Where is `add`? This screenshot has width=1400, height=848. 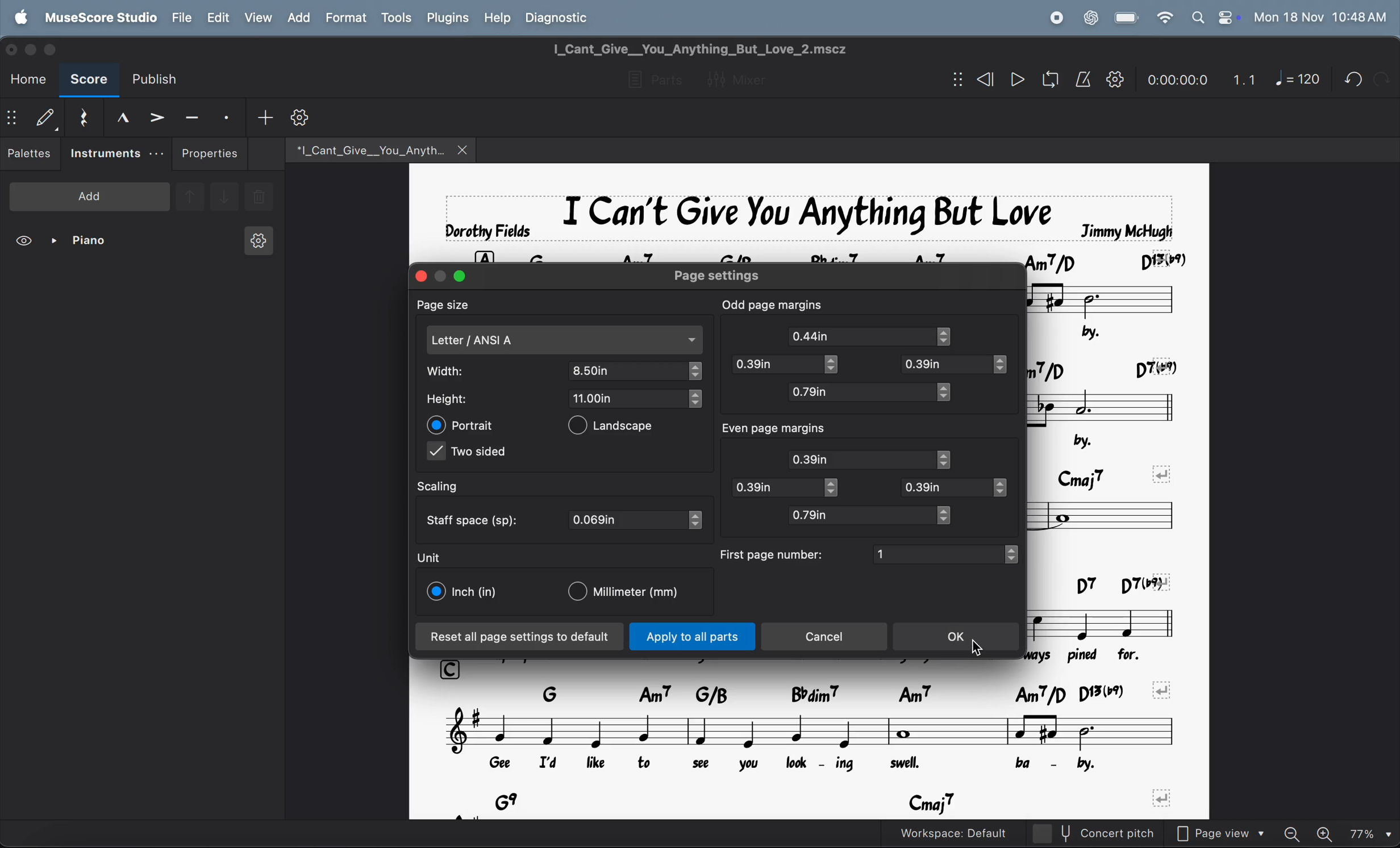 add is located at coordinates (90, 195).